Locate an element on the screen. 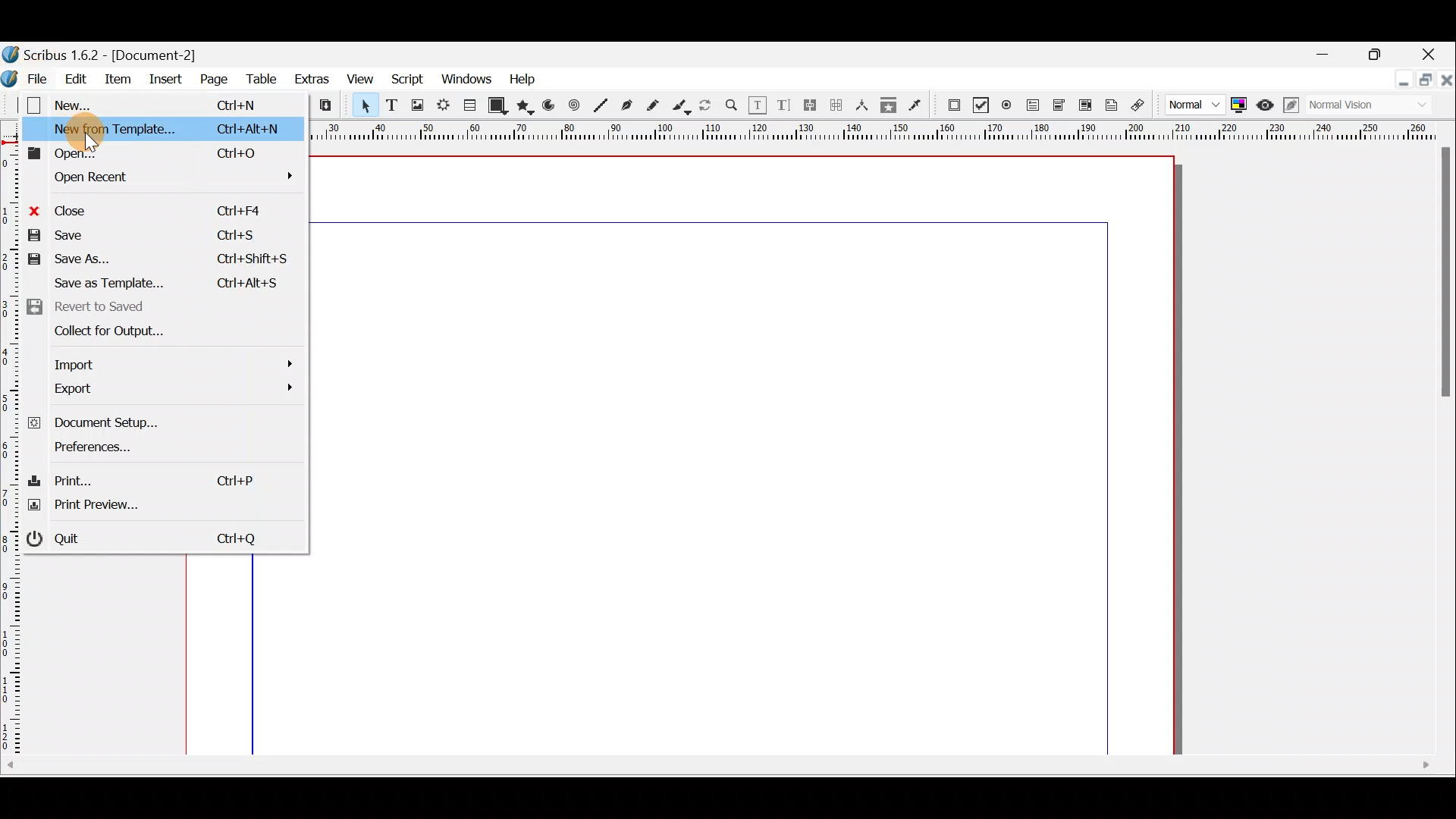  Ruler is located at coordinates (883, 131).